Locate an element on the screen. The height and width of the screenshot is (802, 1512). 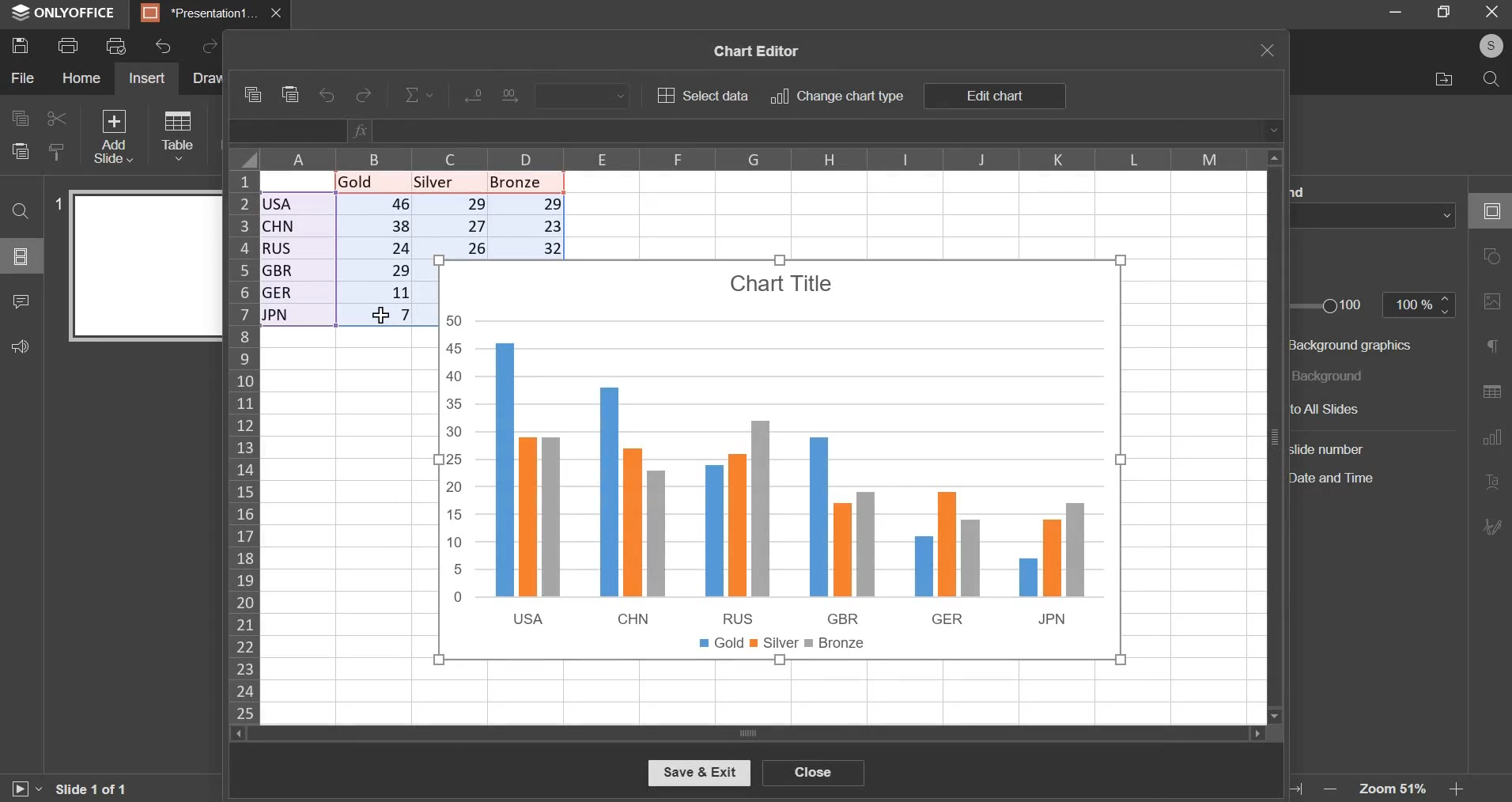
table settings is located at coordinates (1489, 394).